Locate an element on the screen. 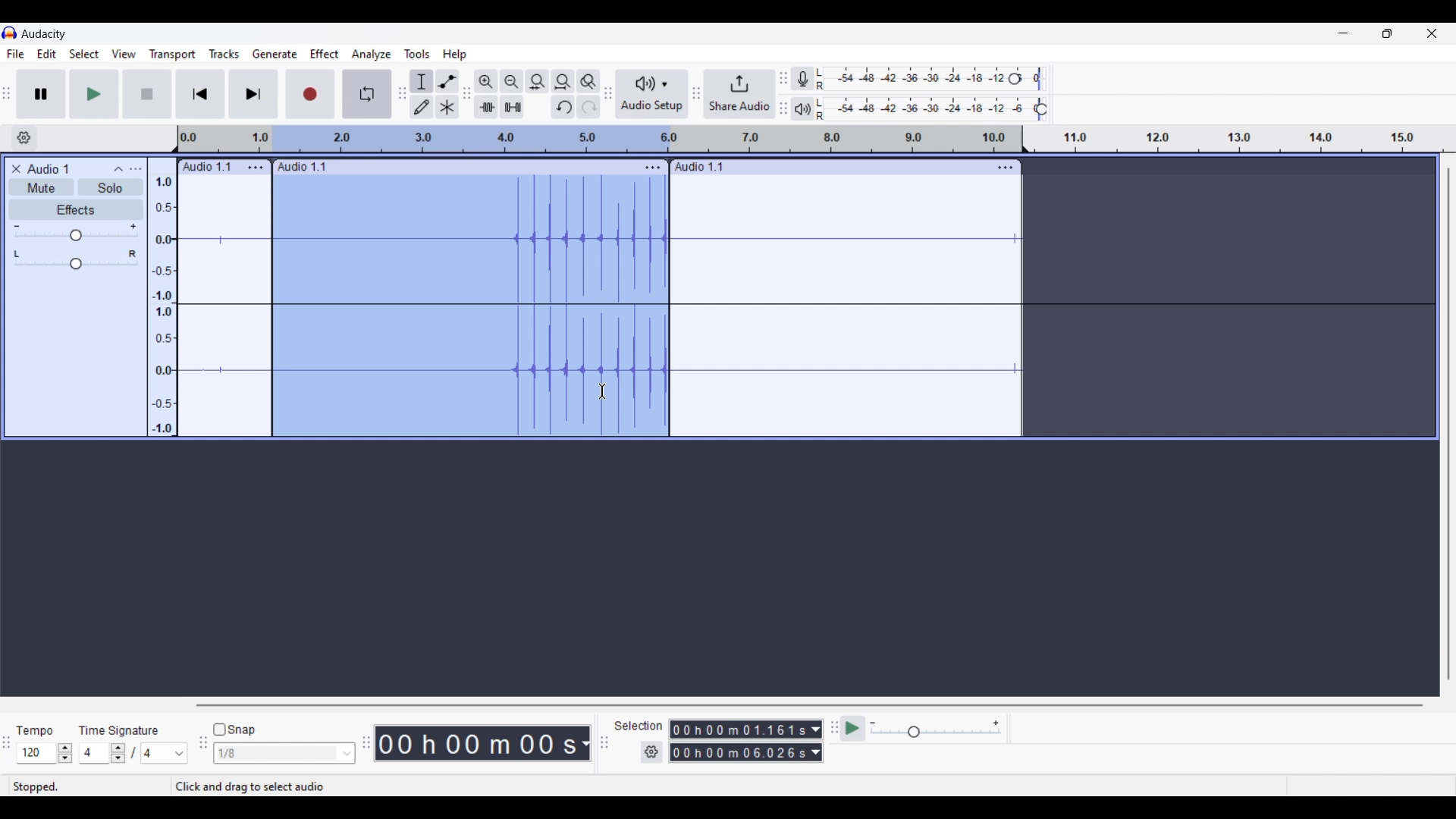 This screenshot has width=1456, height=819. Audio 1.1 is located at coordinates (303, 168).